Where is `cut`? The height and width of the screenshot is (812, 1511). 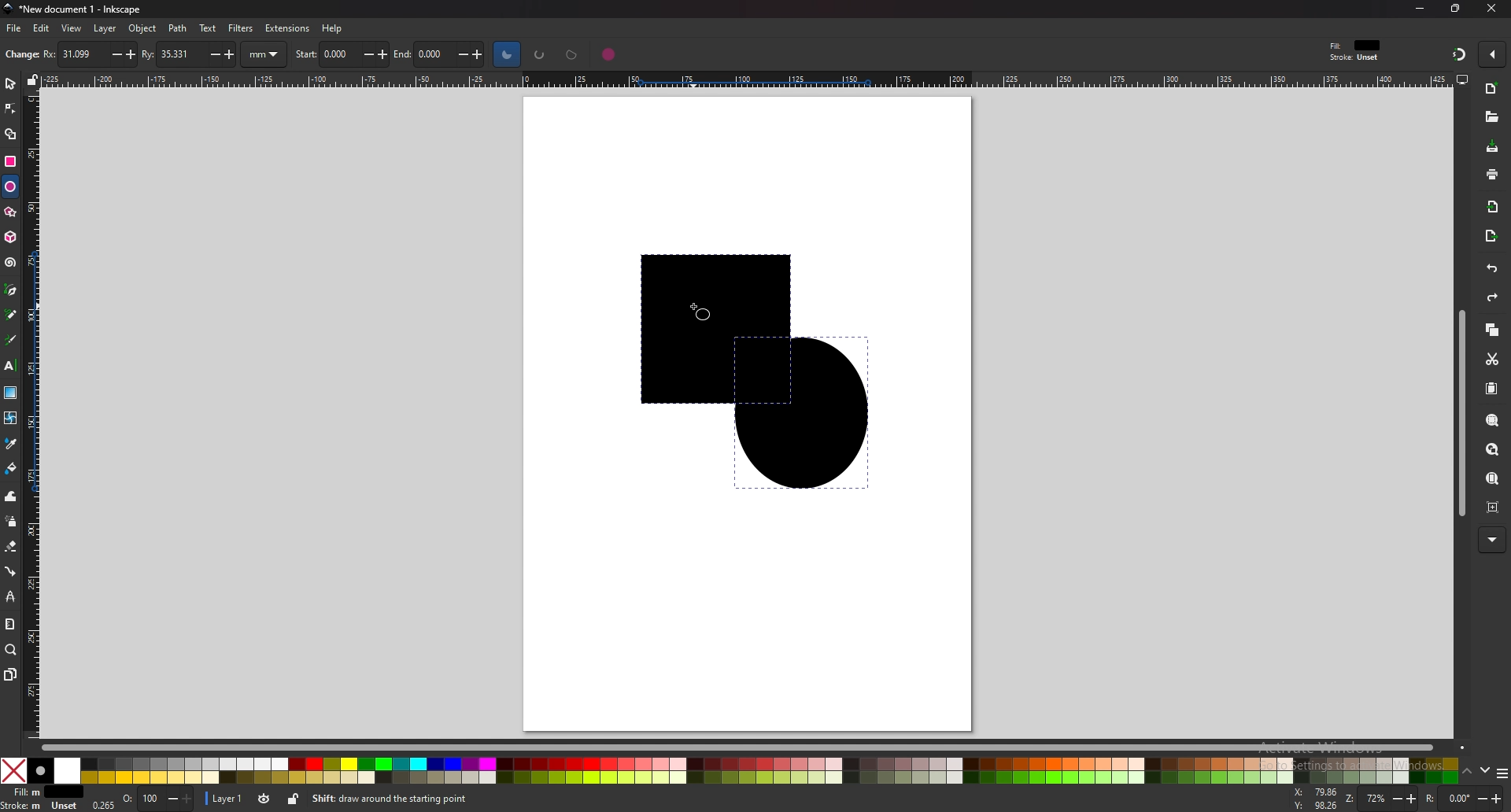
cut is located at coordinates (1493, 358).